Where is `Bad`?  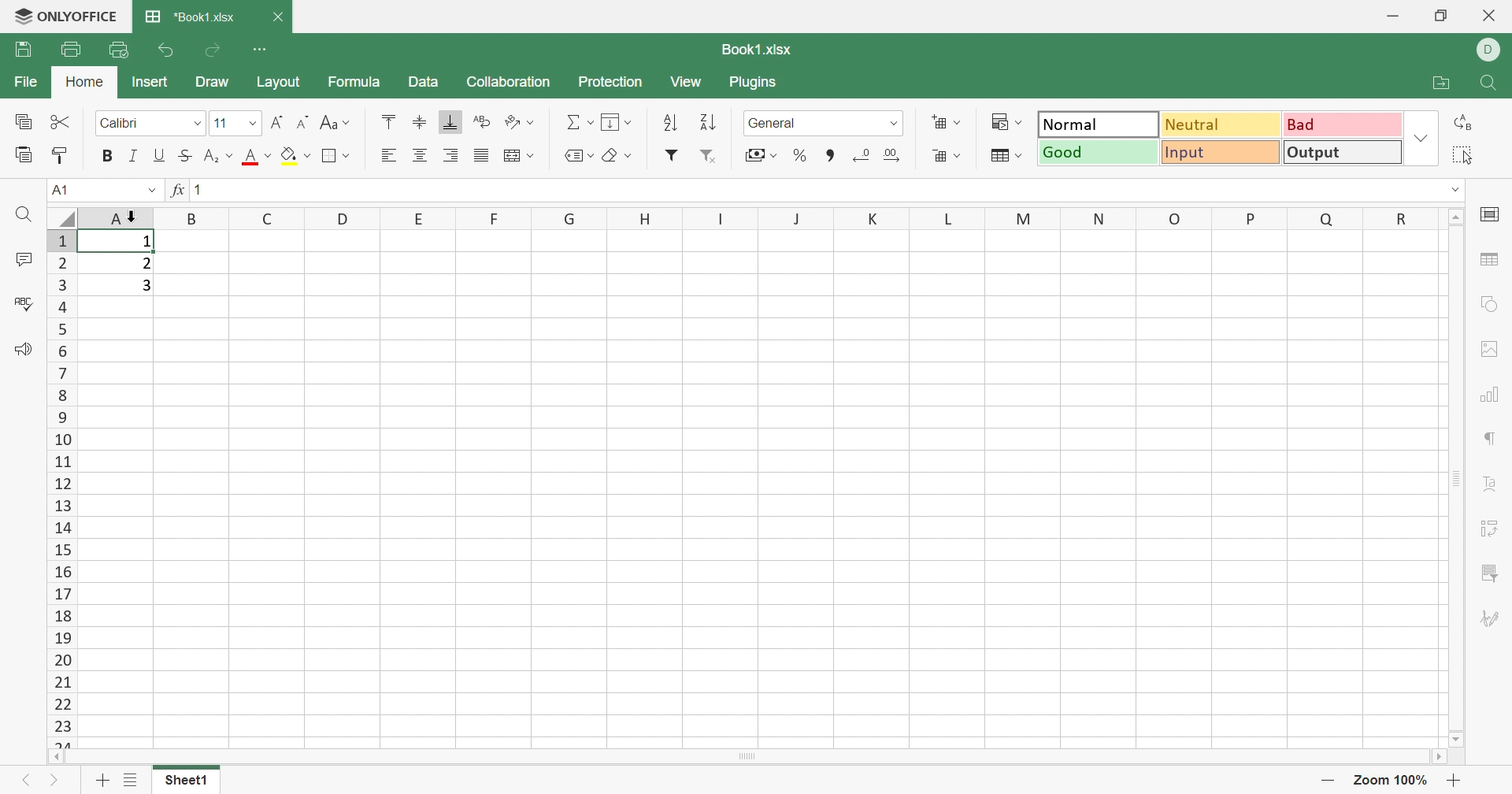
Bad is located at coordinates (1341, 123).